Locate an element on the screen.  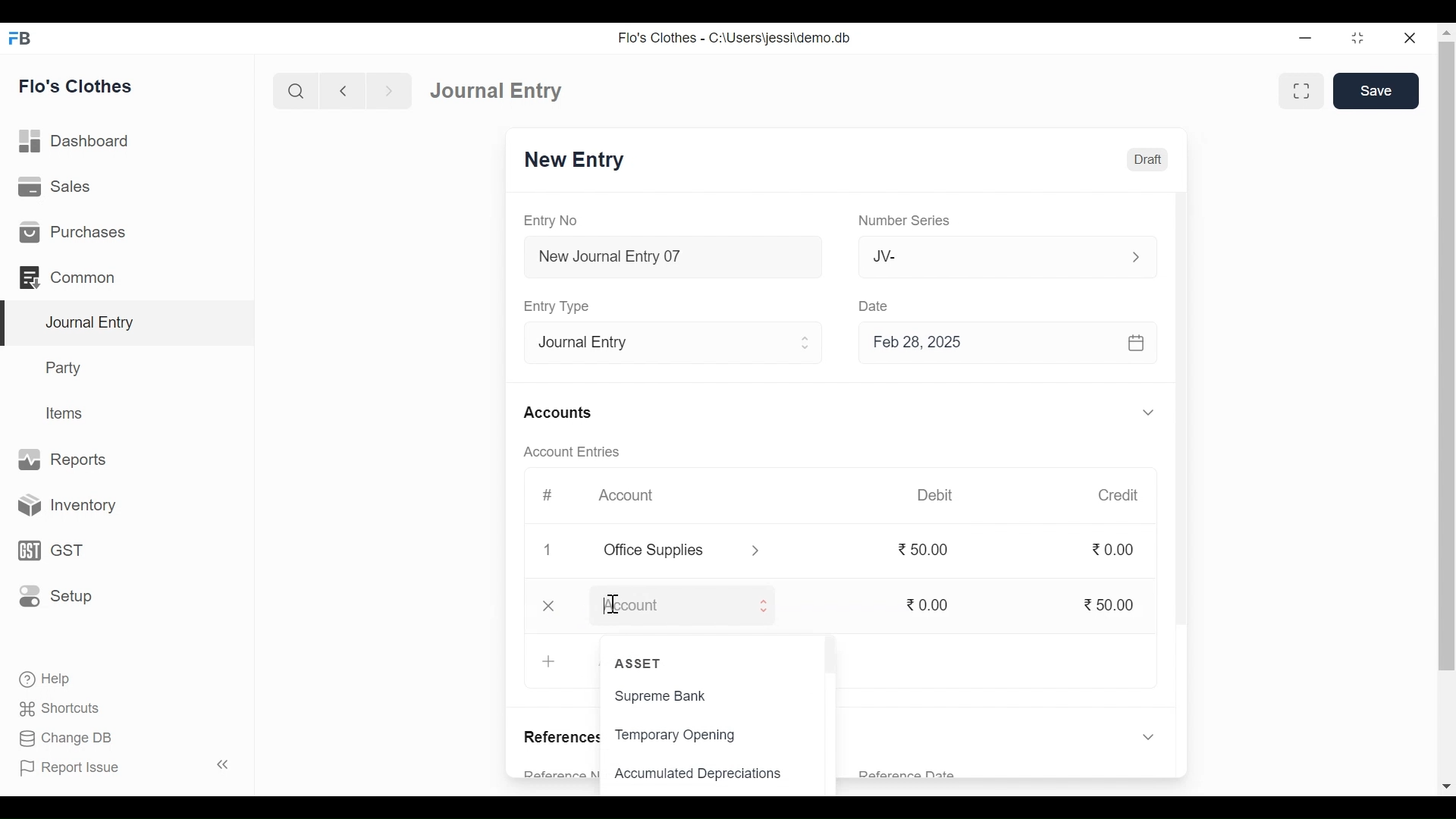
Accumulated Depreciations is located at coordinates (699, 774).